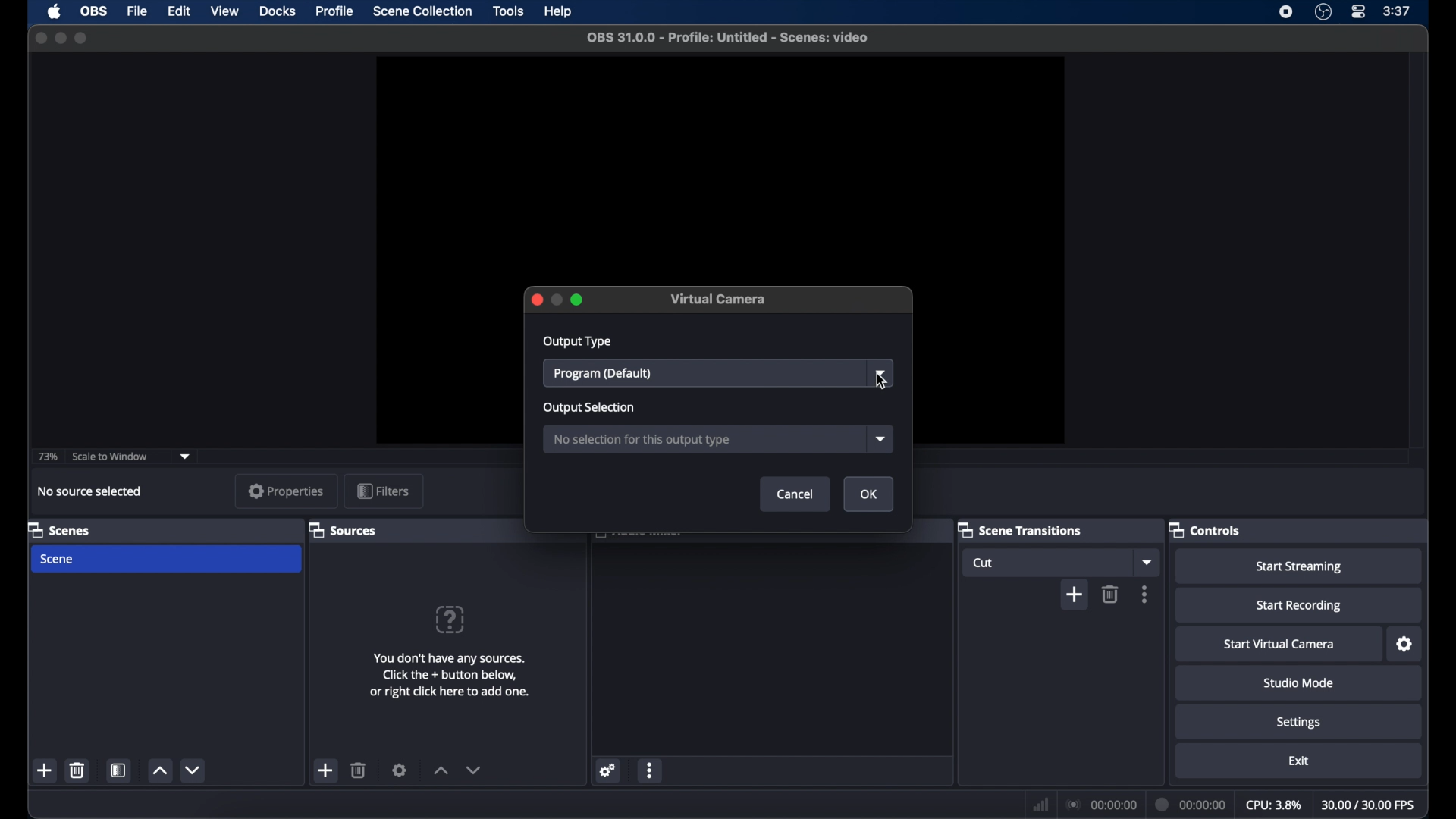  I want to click on studio mode, so click(1301, 683).